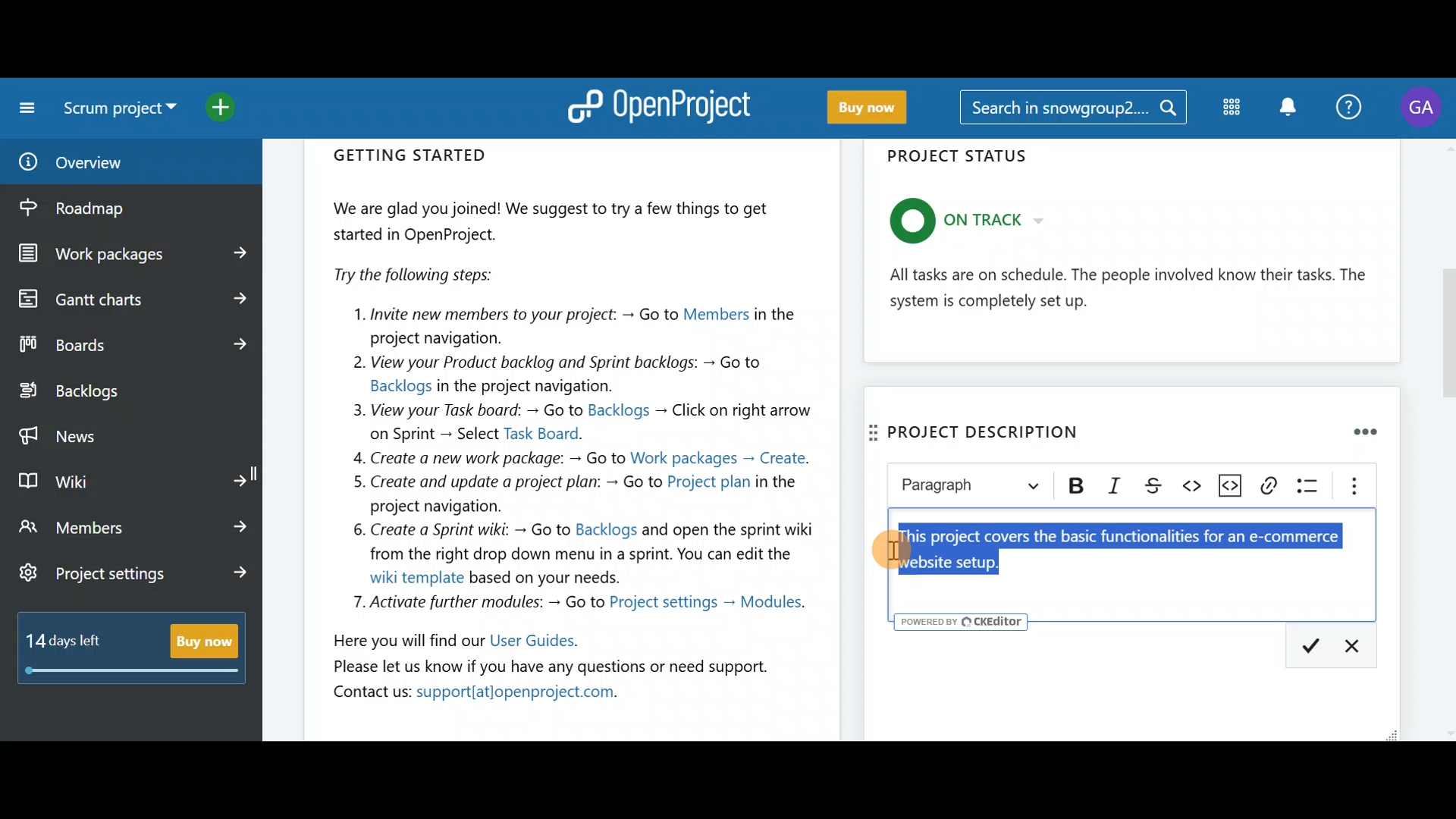 This screenshot has width=1456, height=819. What do you see at coordinates (130, 432) in the screenshot?
I see `News` at bounding box center [130, 432].